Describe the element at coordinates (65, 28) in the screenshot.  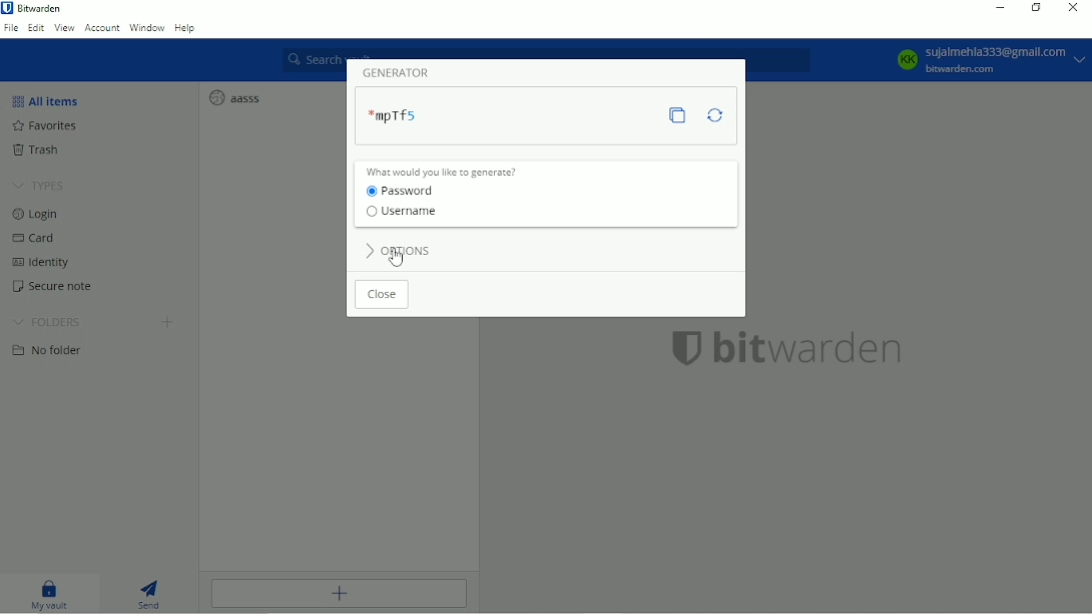
I see `View` at that location.